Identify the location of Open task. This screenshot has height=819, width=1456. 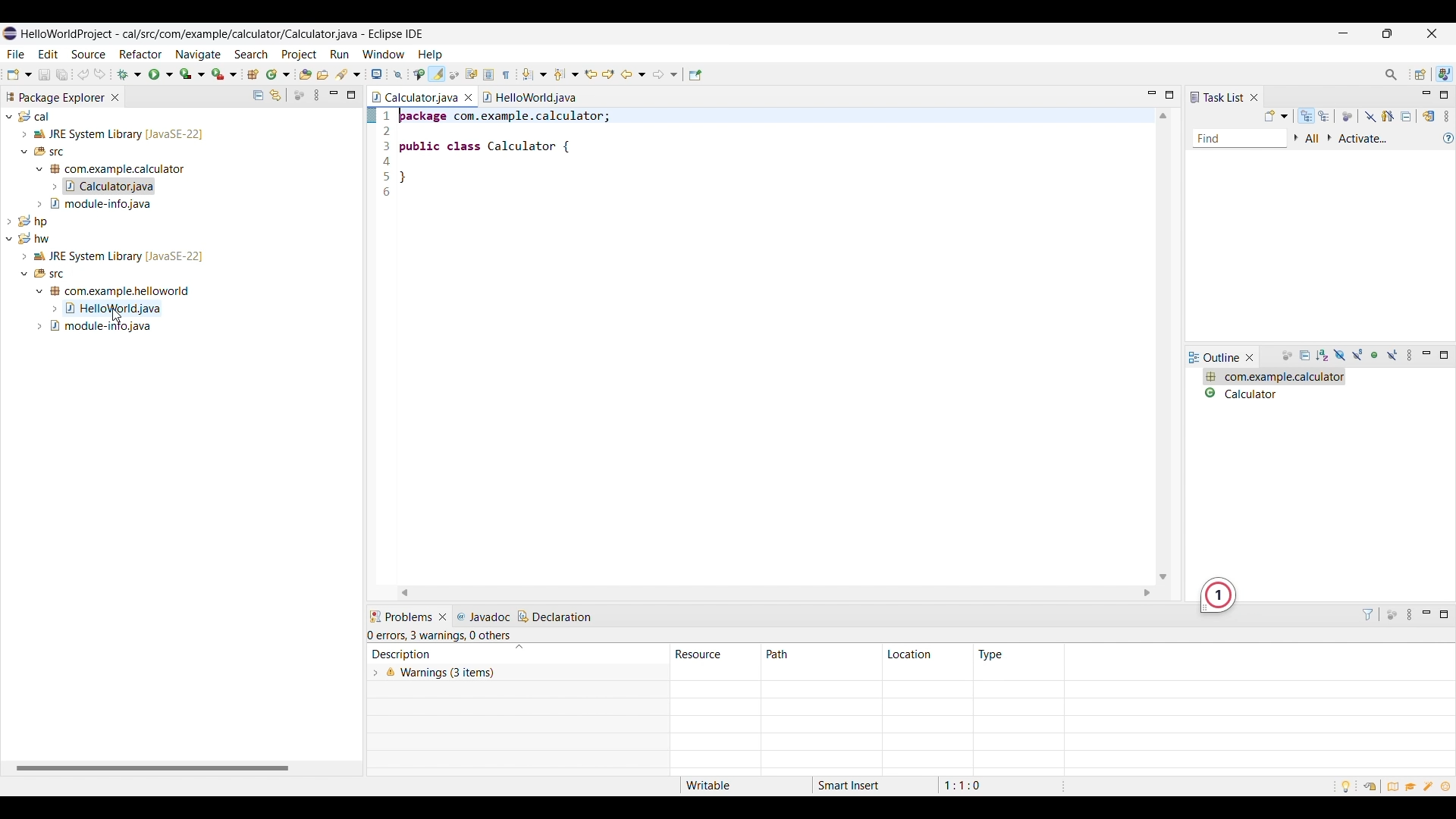
(323, 74).